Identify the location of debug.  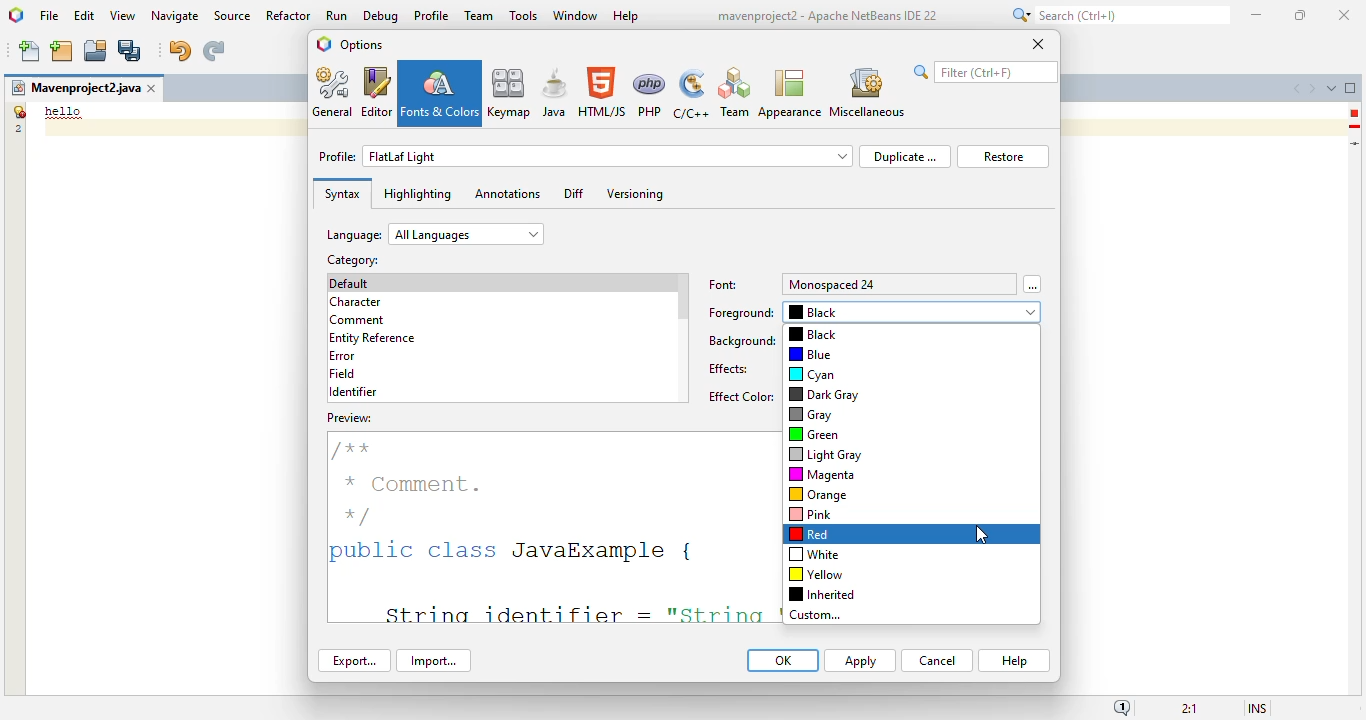
(382, 16).